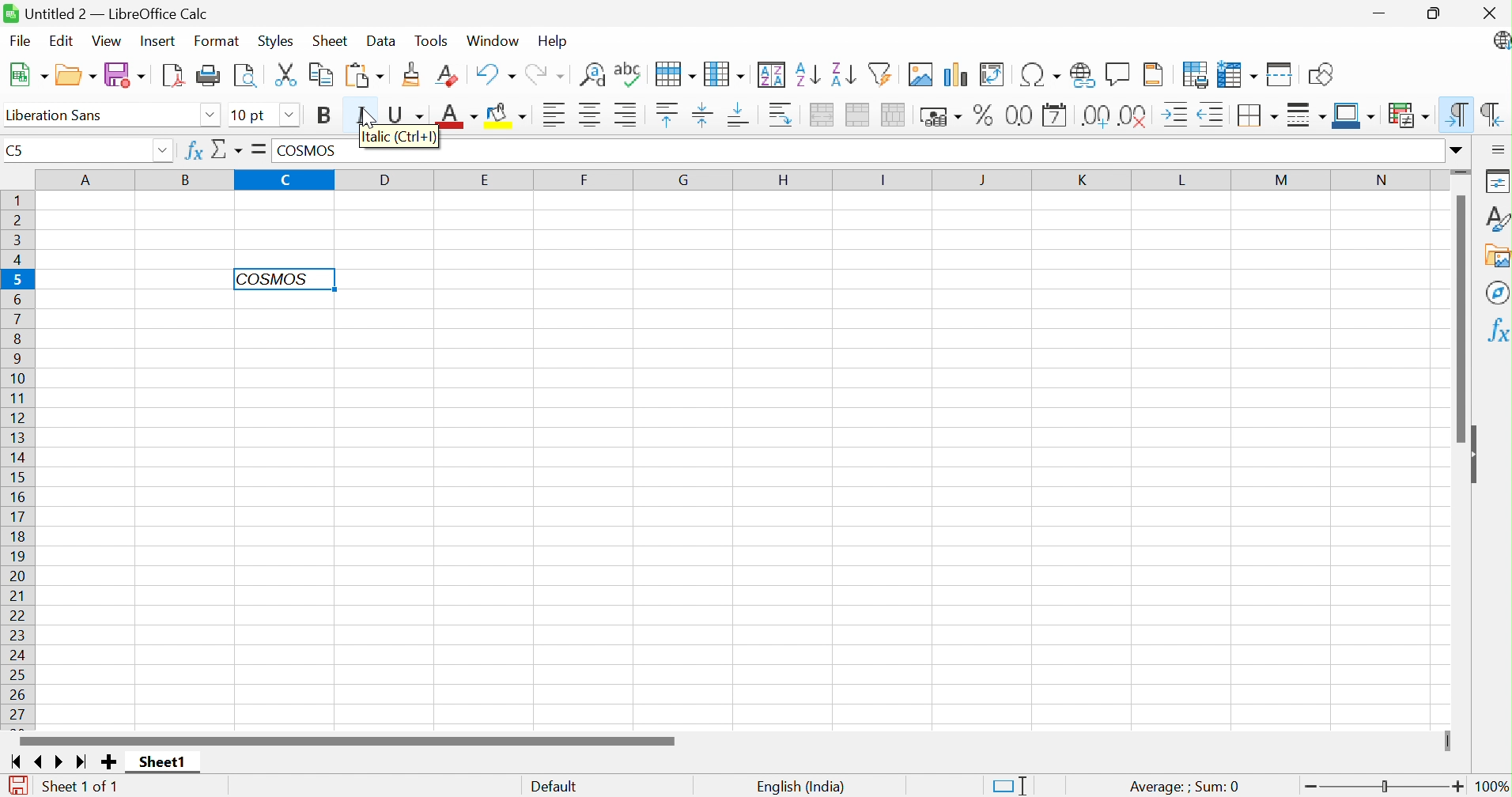 This screenshot has width=1512, height=797. I want to click on Minimize, so click(1384, 15).